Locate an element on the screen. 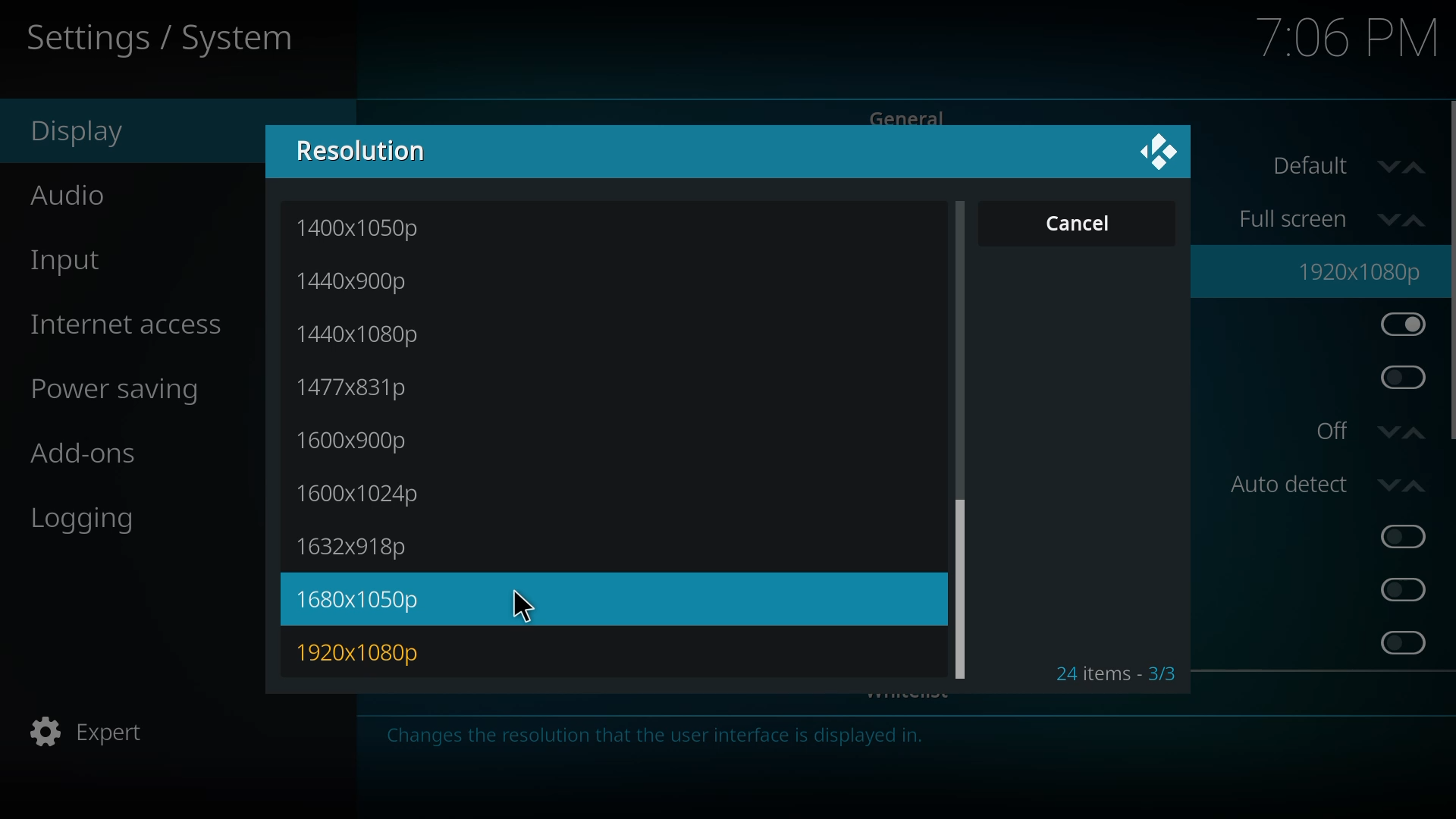 The width and height of the screenshot is (1456, 819). cancel is located at coordinates (1084, 224).